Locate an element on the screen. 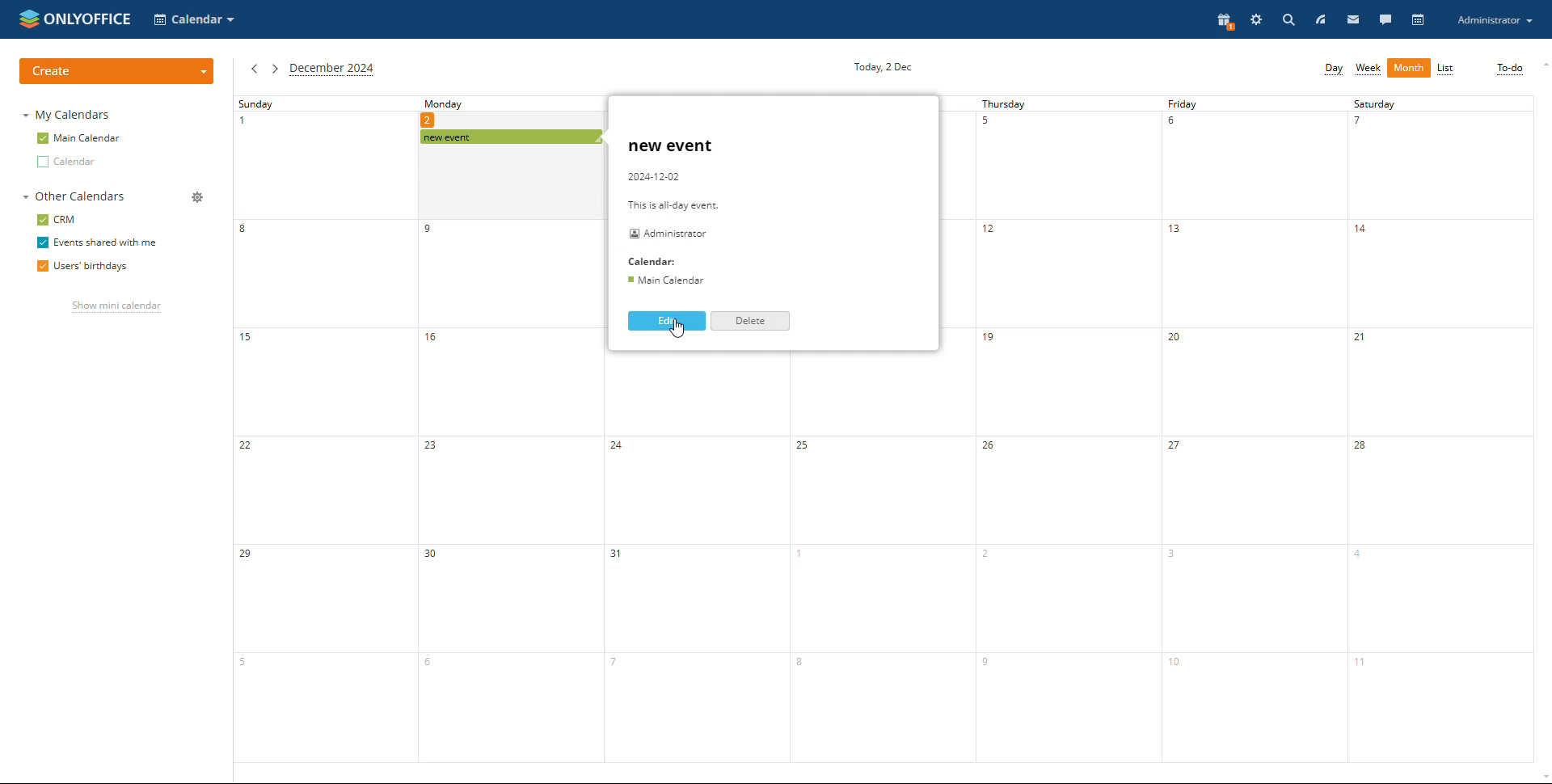 The image size is (1552, 784). scroll down is located at coordinates (1542, 778).